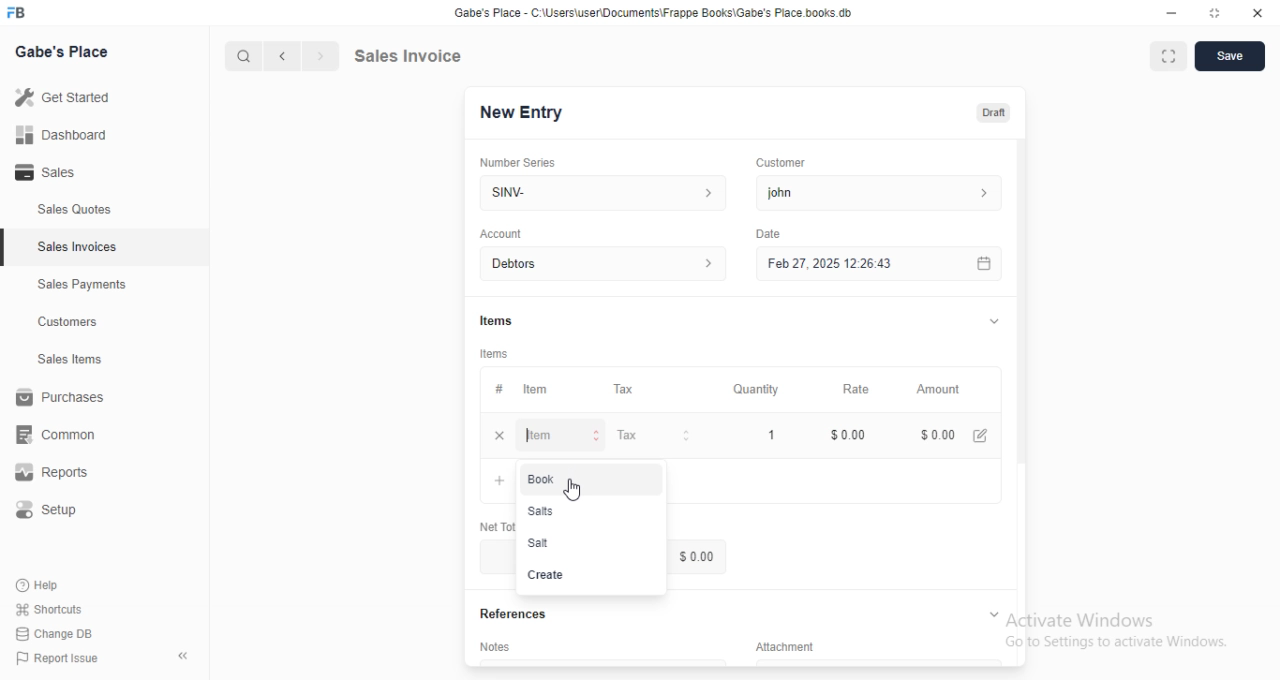 Image resolution: width=1280 pixels, height=680 pixels. Describe the element at coordinates (628, 388) in the screenshot. I see `Tax` at that location.